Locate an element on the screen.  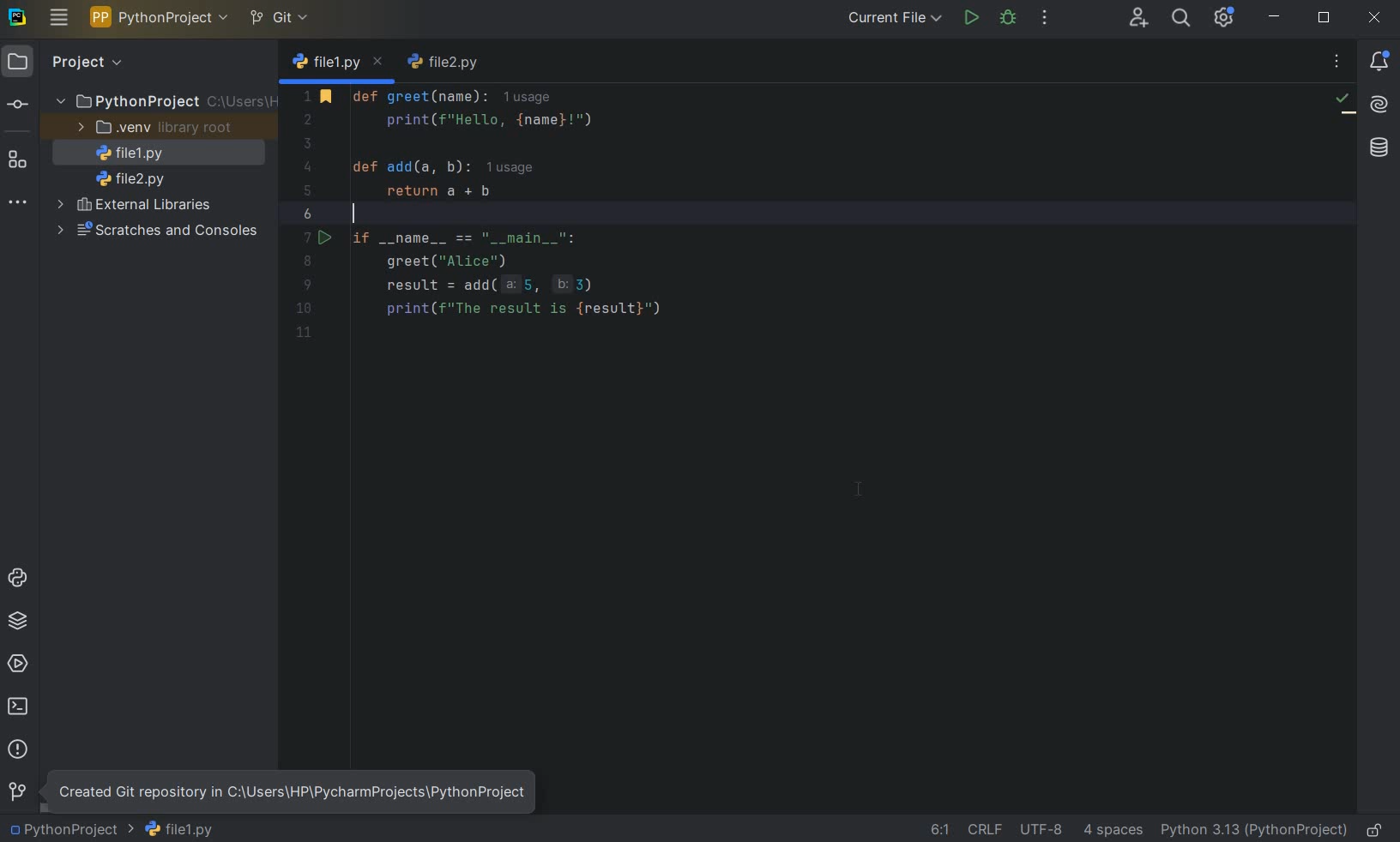
external libraries is located at coordinates (135, 207).